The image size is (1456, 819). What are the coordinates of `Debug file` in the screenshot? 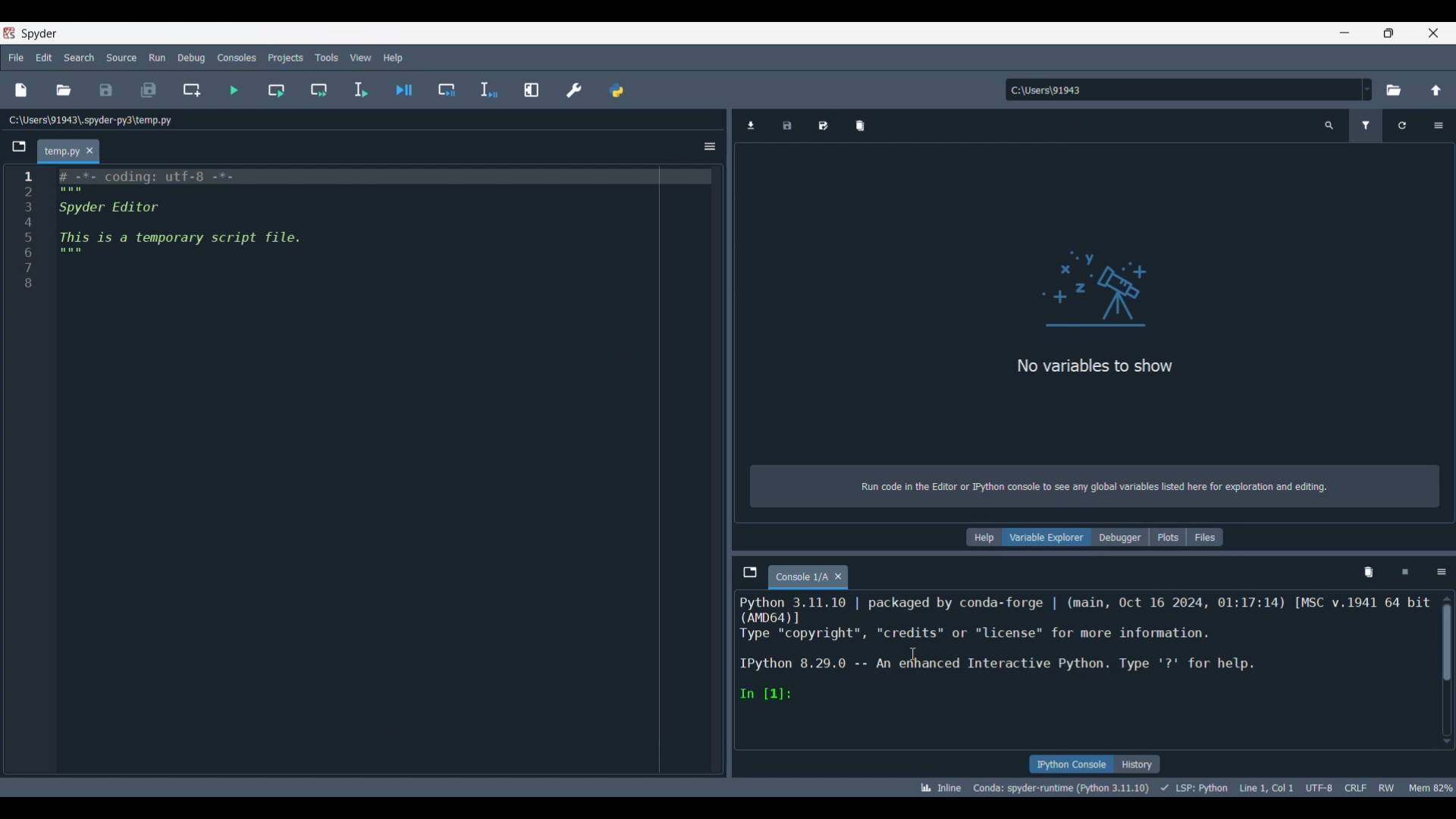 It's located at (404, 89).